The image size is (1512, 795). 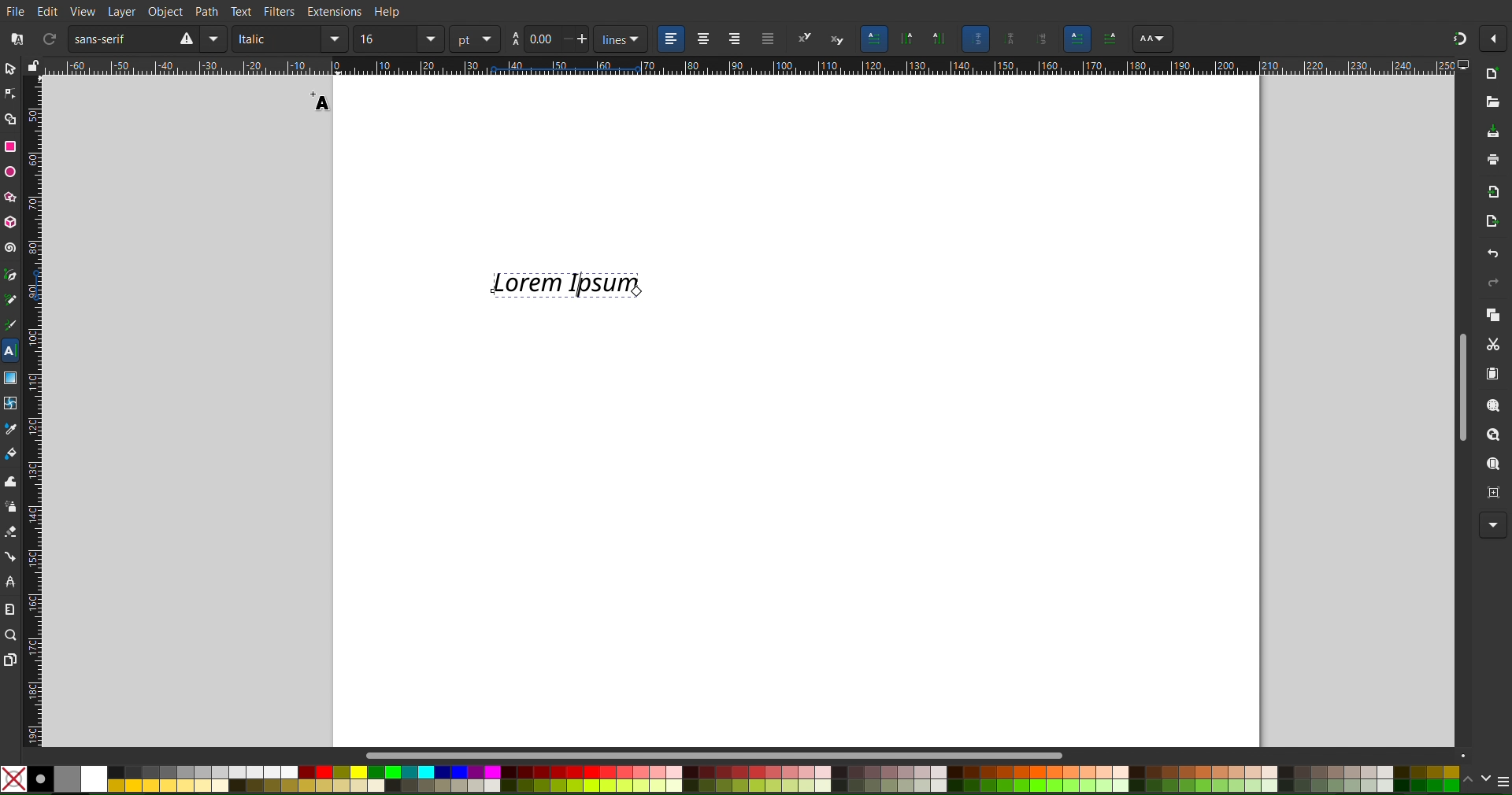 I want to click on Tweak Tool, so click(x=13, y=481).